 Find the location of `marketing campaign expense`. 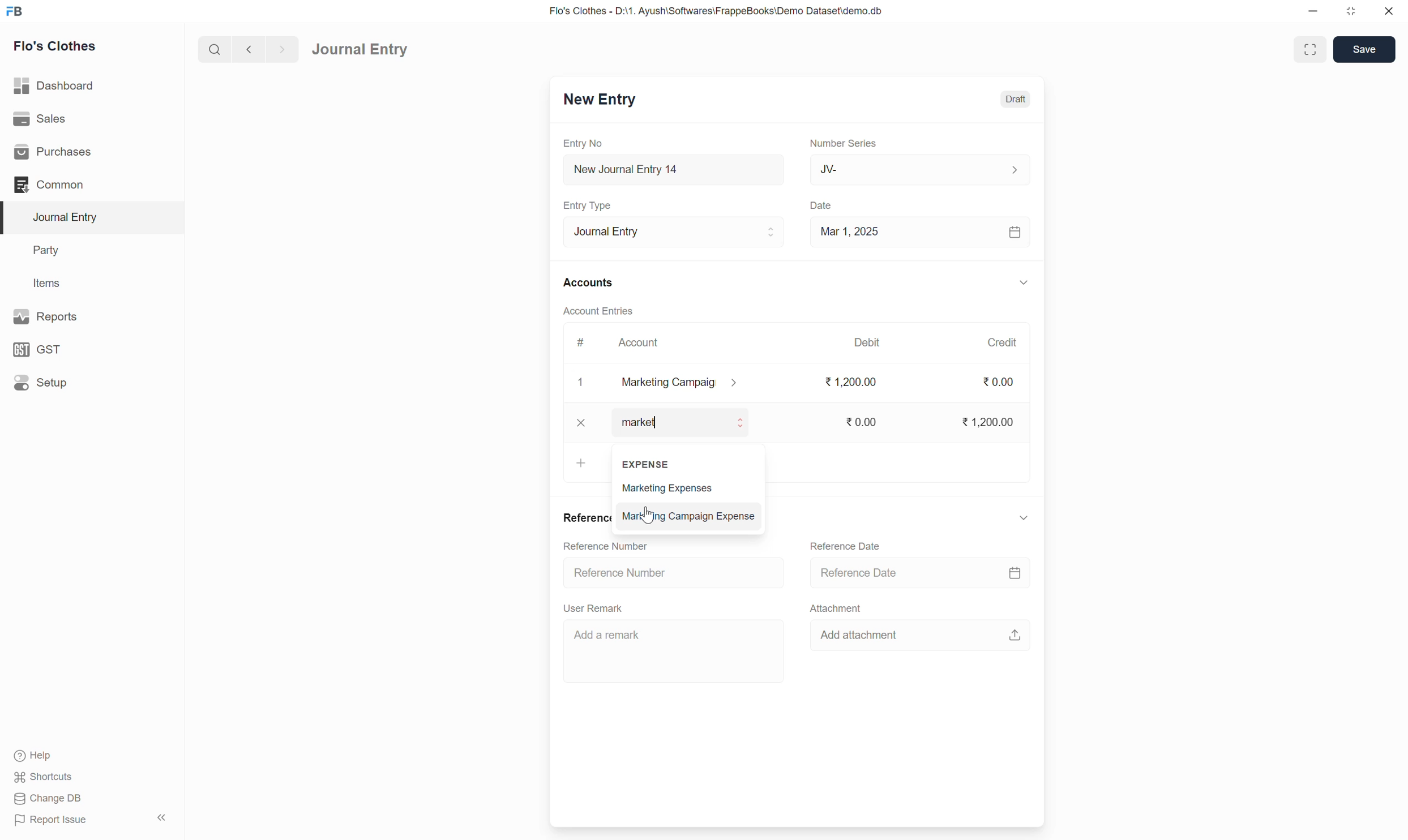

marketing campaign expense is located at coordinates (690, 517).